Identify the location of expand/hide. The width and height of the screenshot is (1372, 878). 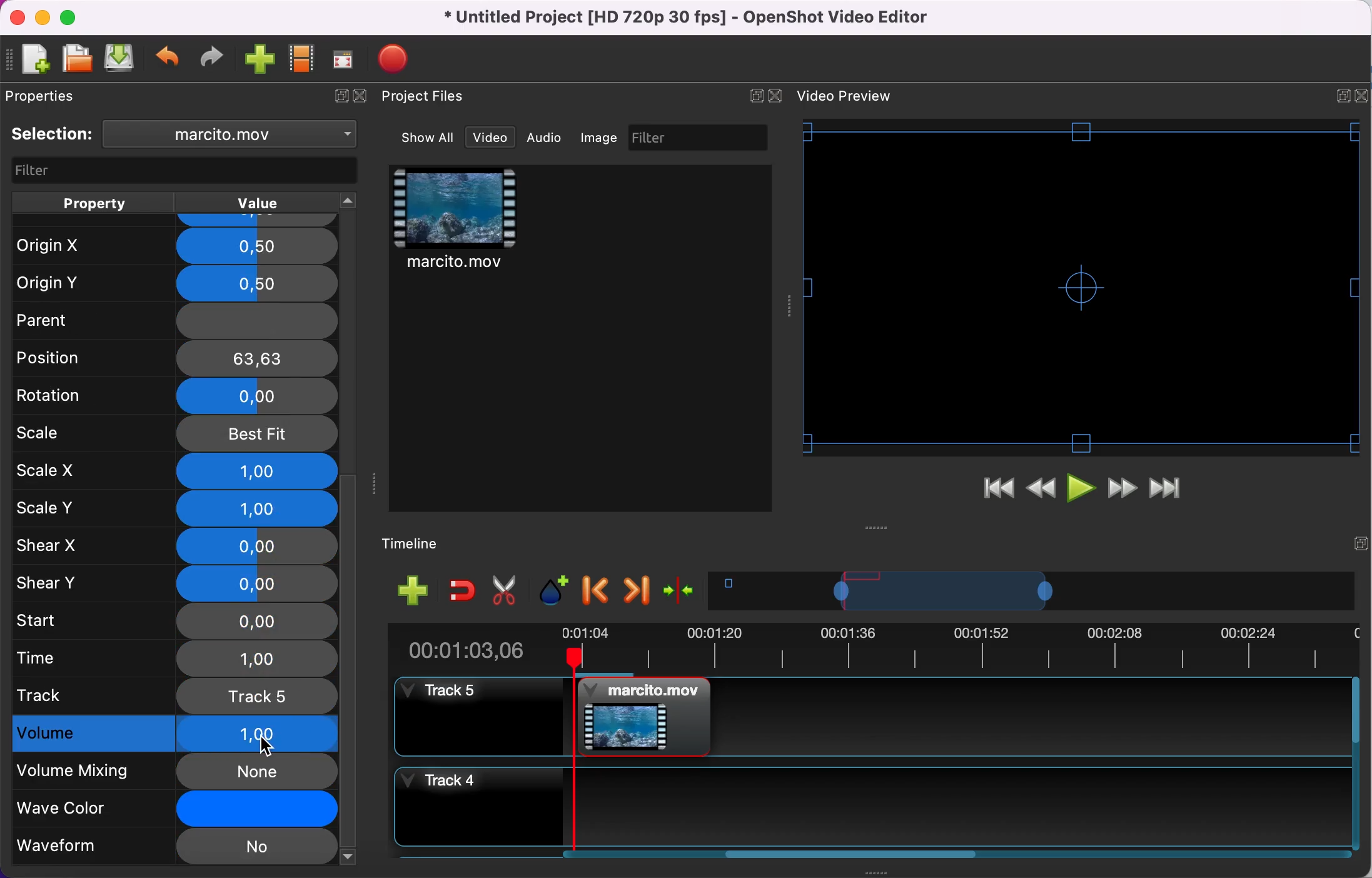
(338, 97).